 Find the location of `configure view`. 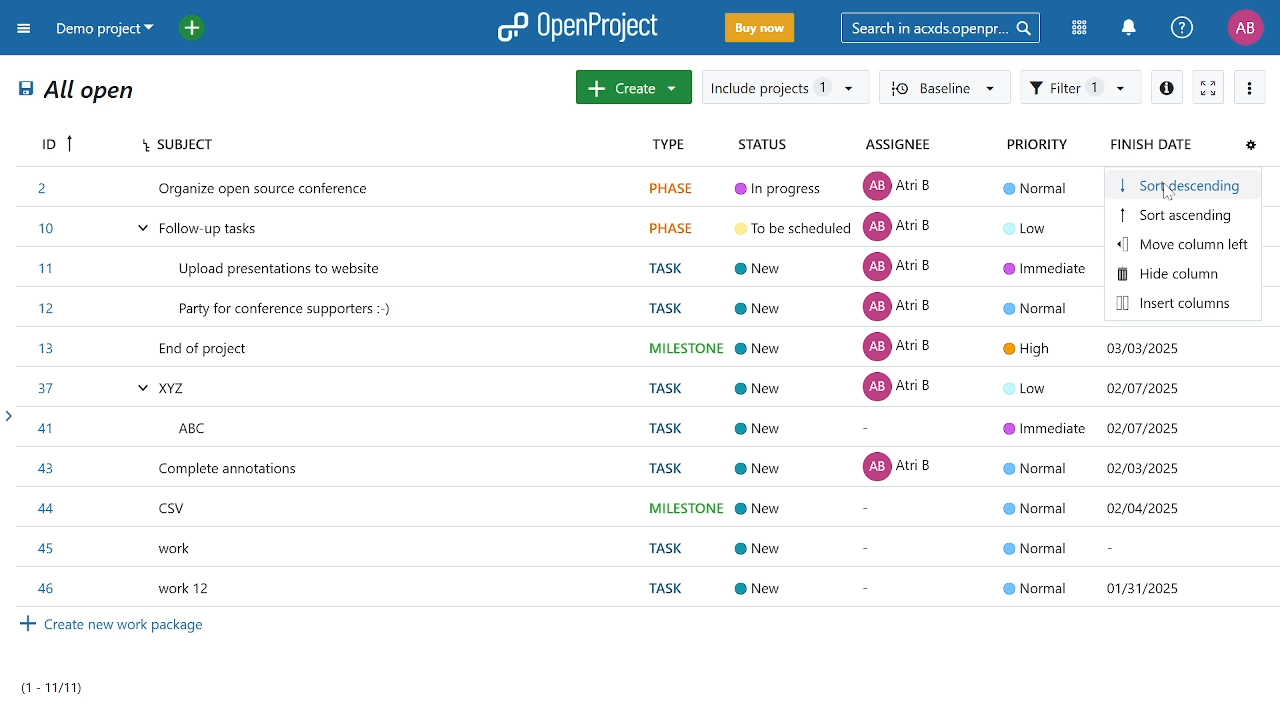

configure view is located at coordinates (1248, 148).